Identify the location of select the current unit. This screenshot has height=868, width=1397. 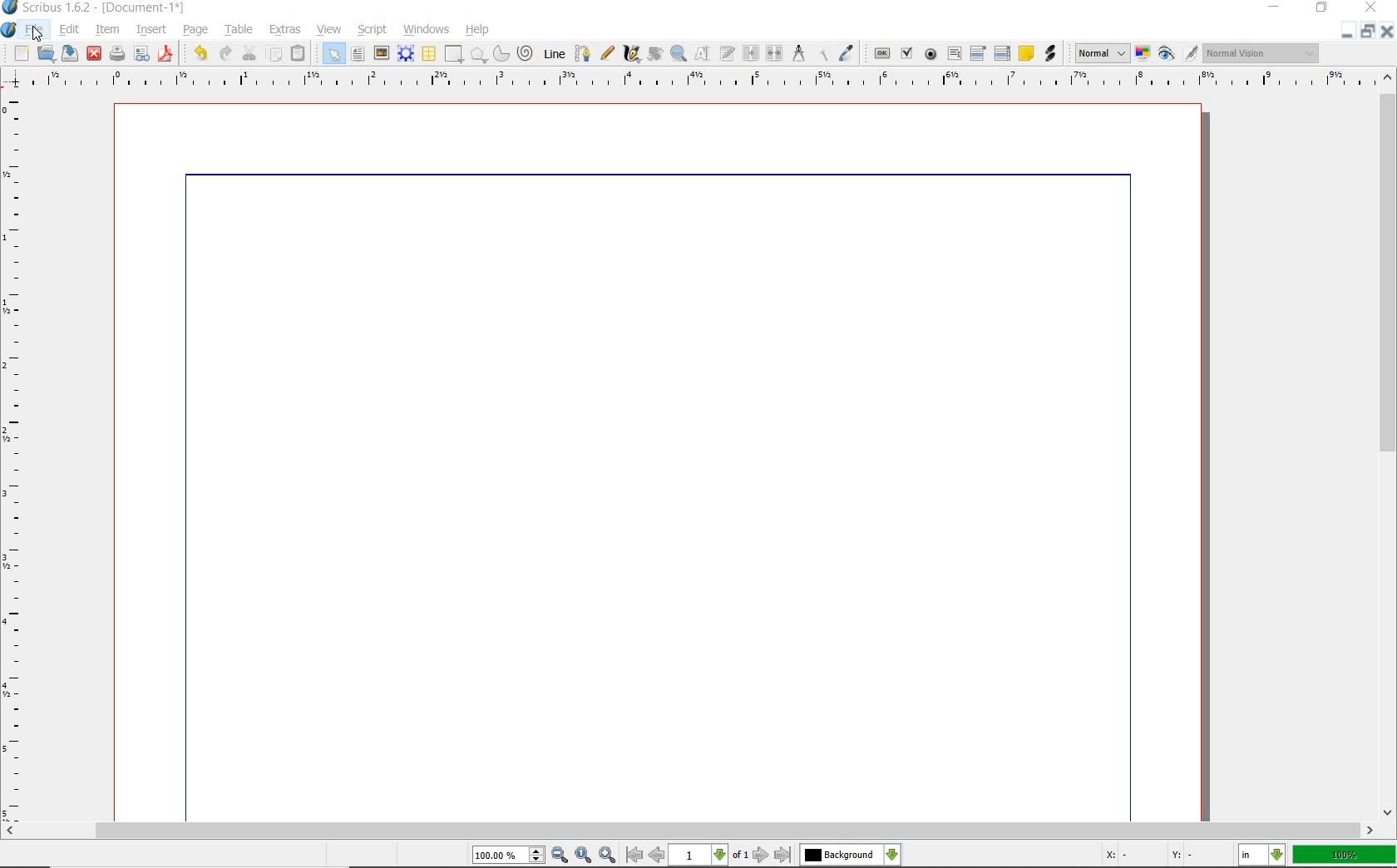
(1261, 855).